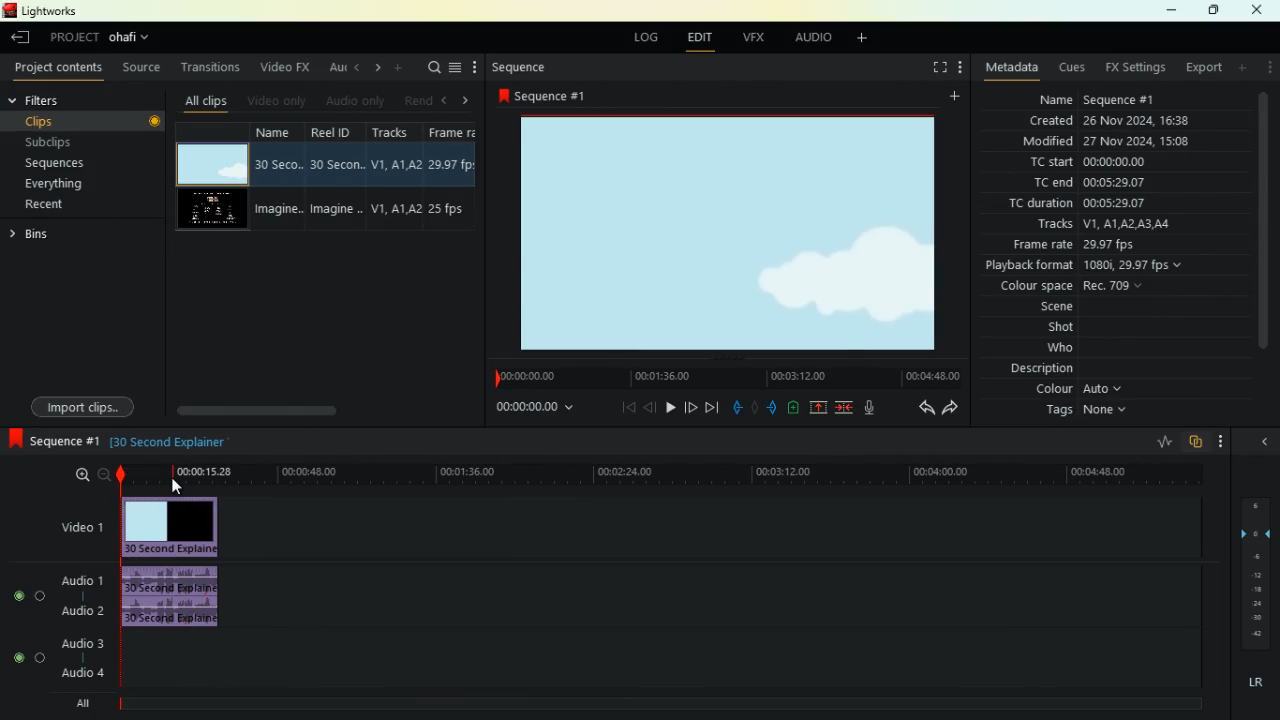  I want to click on more, so click(476, 67).